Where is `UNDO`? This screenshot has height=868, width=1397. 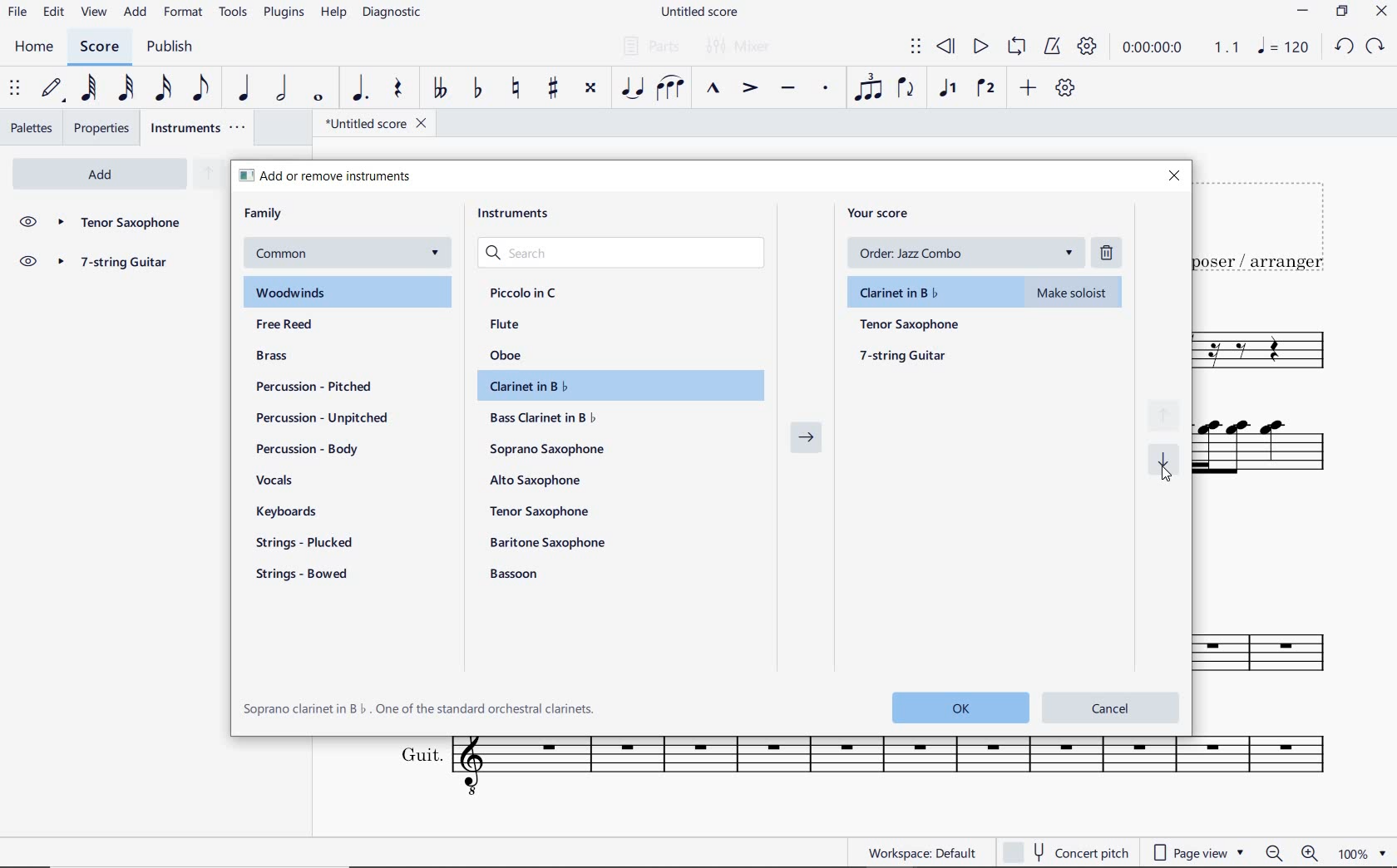 UNDO is located at coordinates (1344, 47).